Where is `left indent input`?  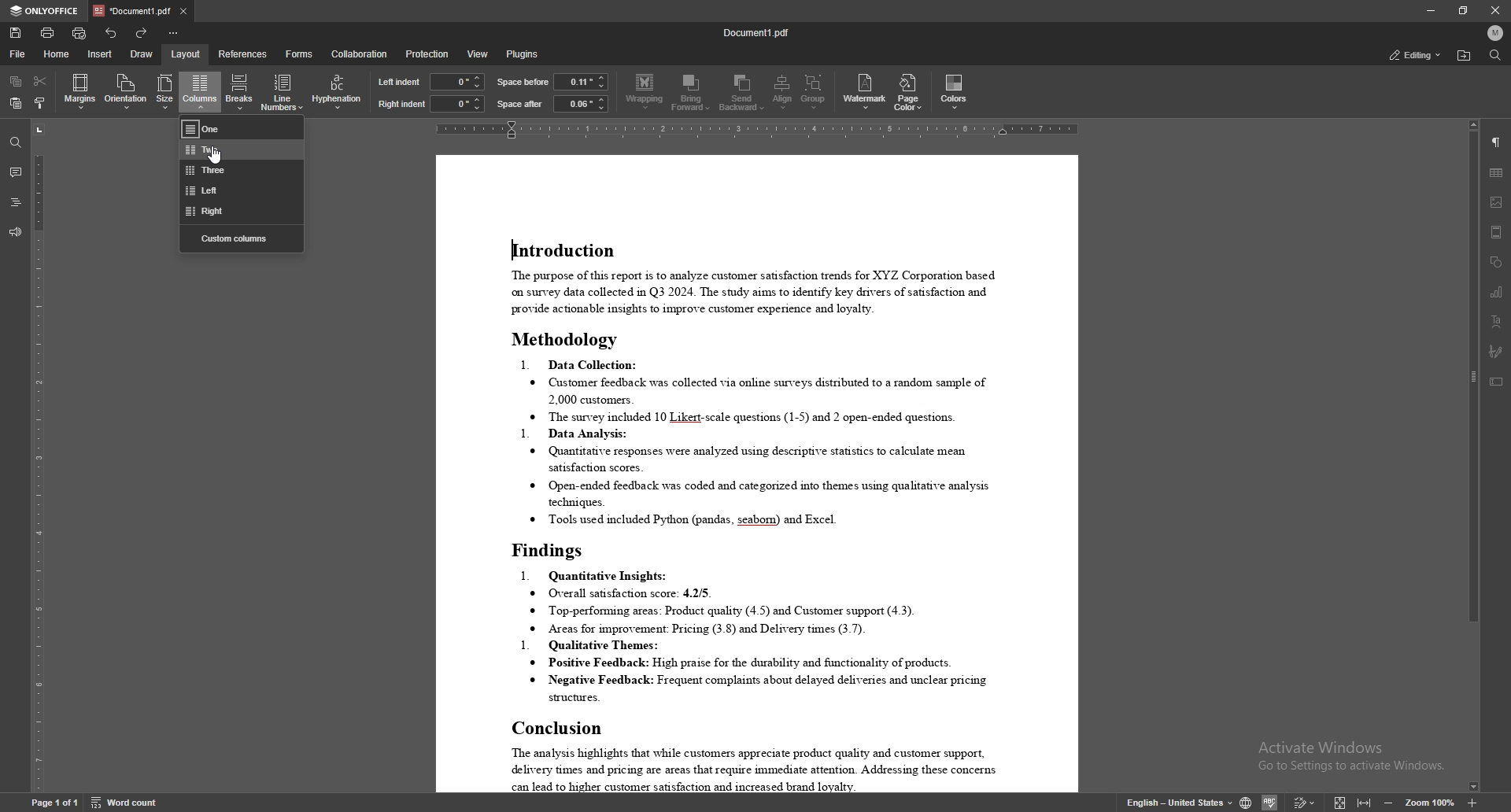
left indent input is located at coordinates (458, 82).